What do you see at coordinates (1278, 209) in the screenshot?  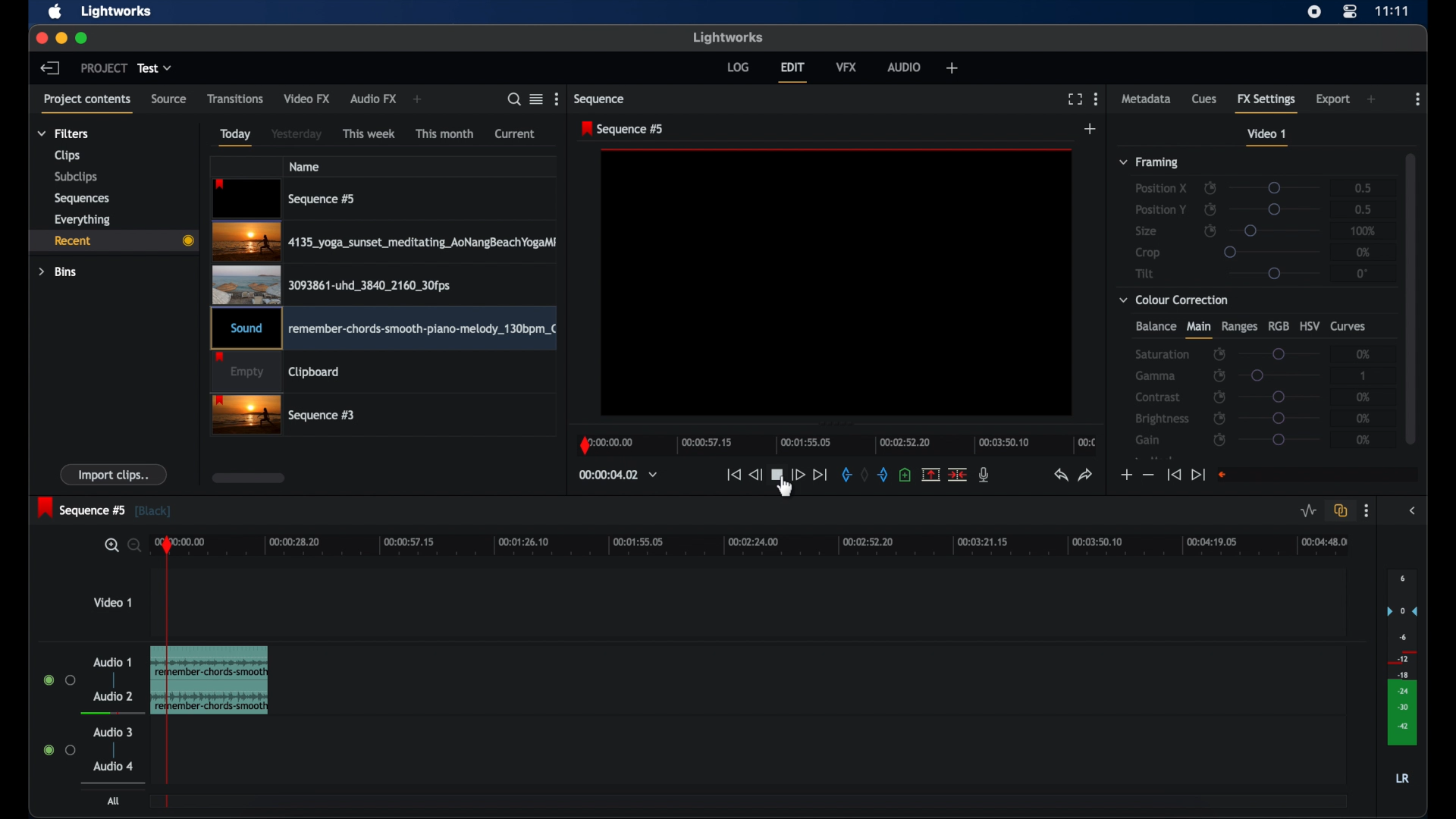 I see `slider` at bounding box center [1278, 209].